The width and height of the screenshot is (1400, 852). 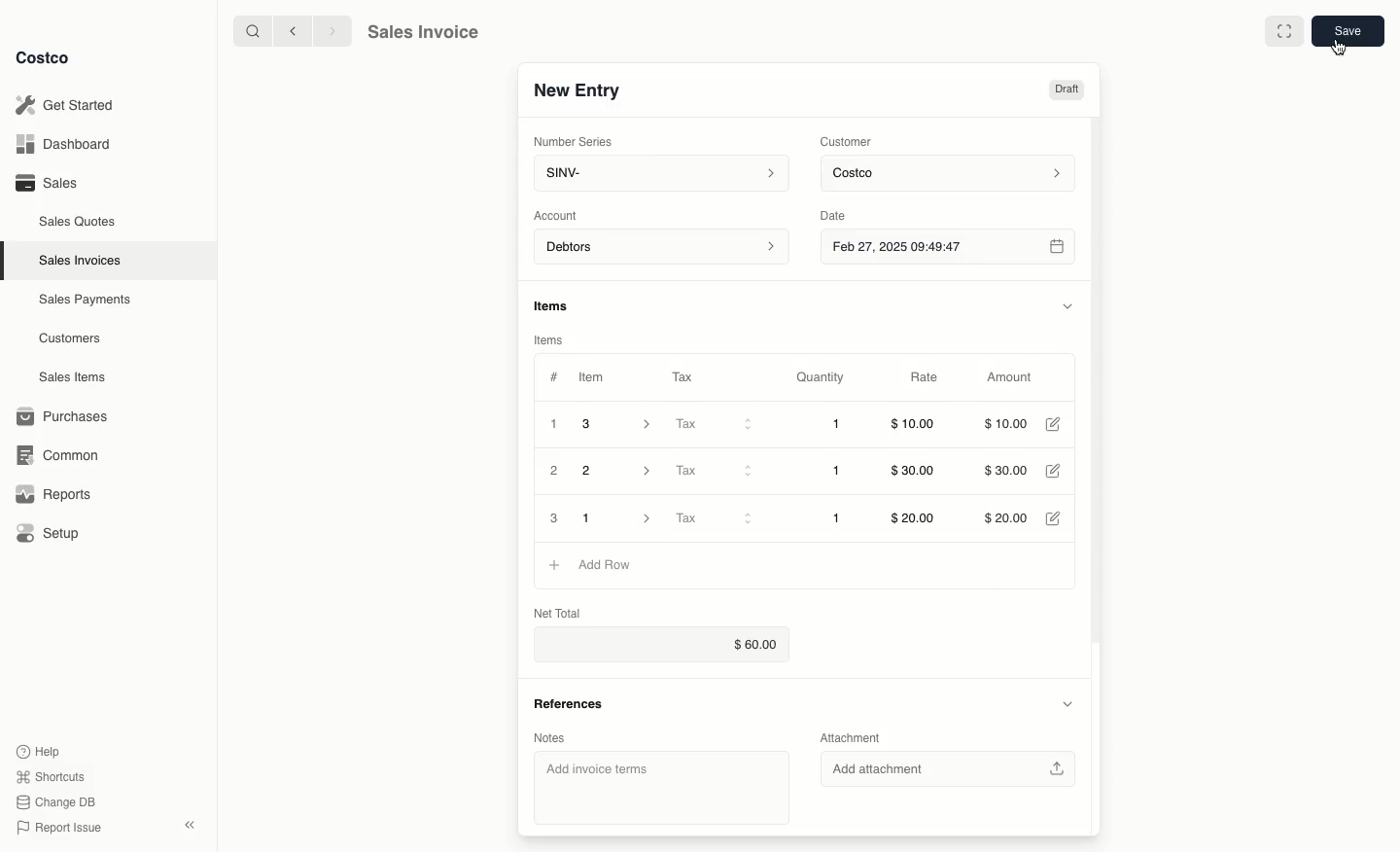 What do you see at coordinates (552, 518) in the screenshot?
I see `3` at bounding box center [552, 518].